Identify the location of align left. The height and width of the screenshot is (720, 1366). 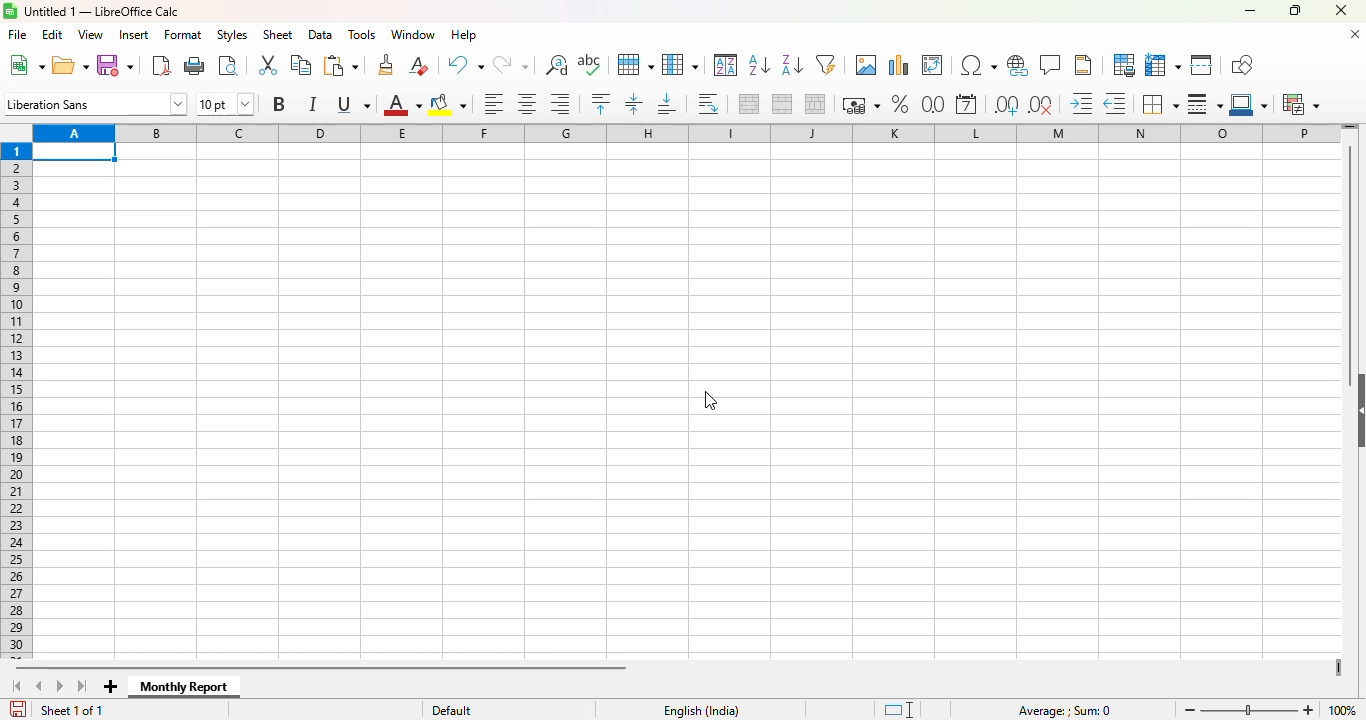
(495, 104).